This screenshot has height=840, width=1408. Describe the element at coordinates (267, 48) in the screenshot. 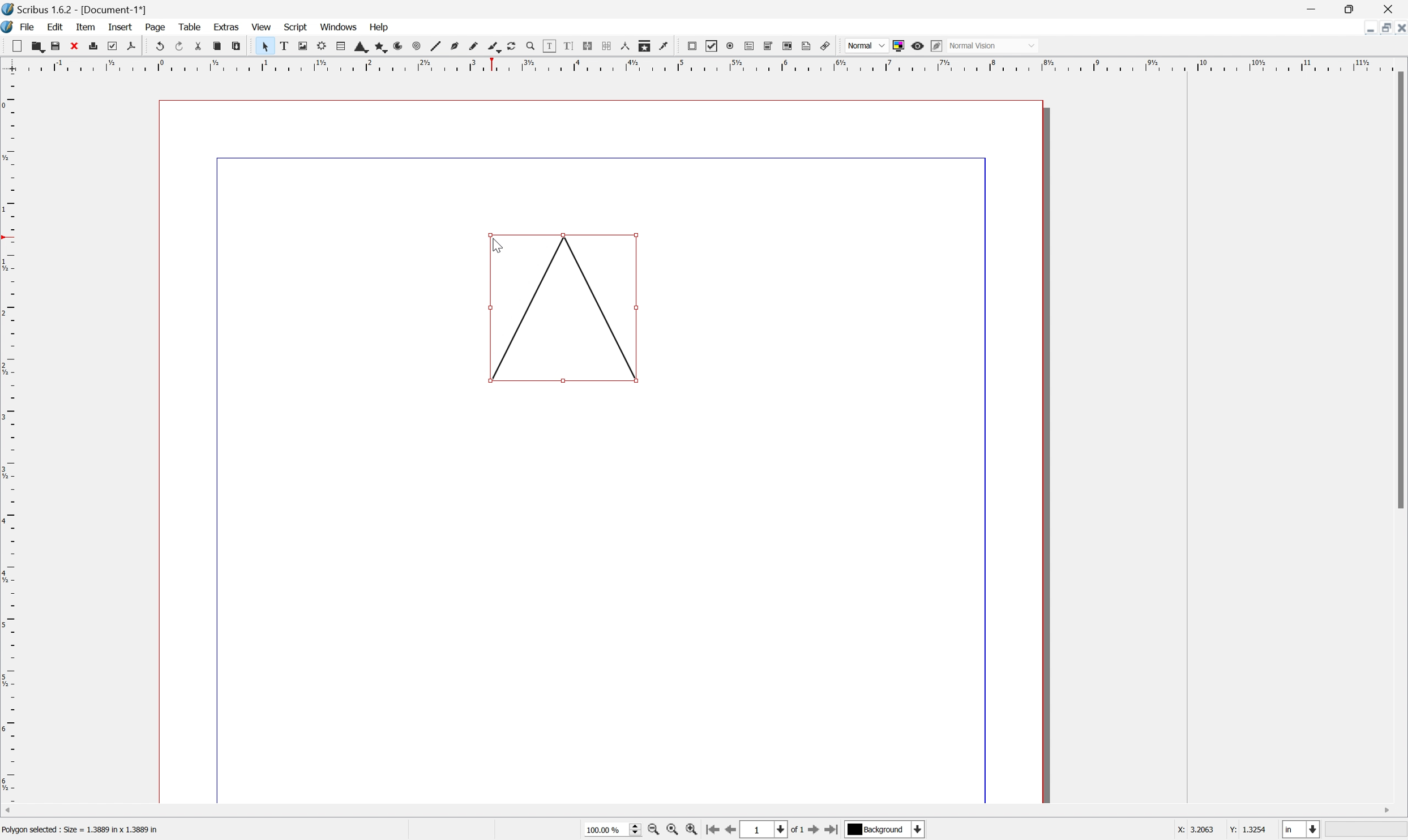

I see `Select frame` at that location.